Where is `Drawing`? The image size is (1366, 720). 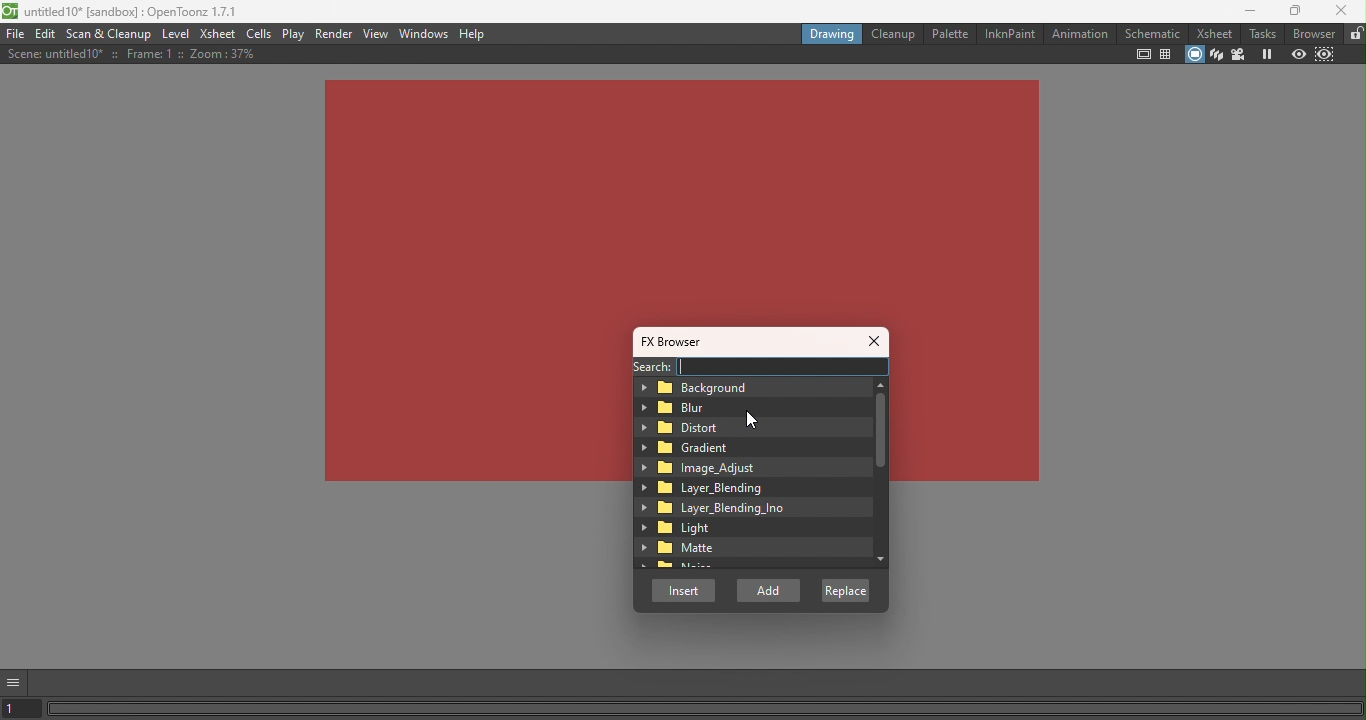
Drawing is located at coordinates (831, 33).